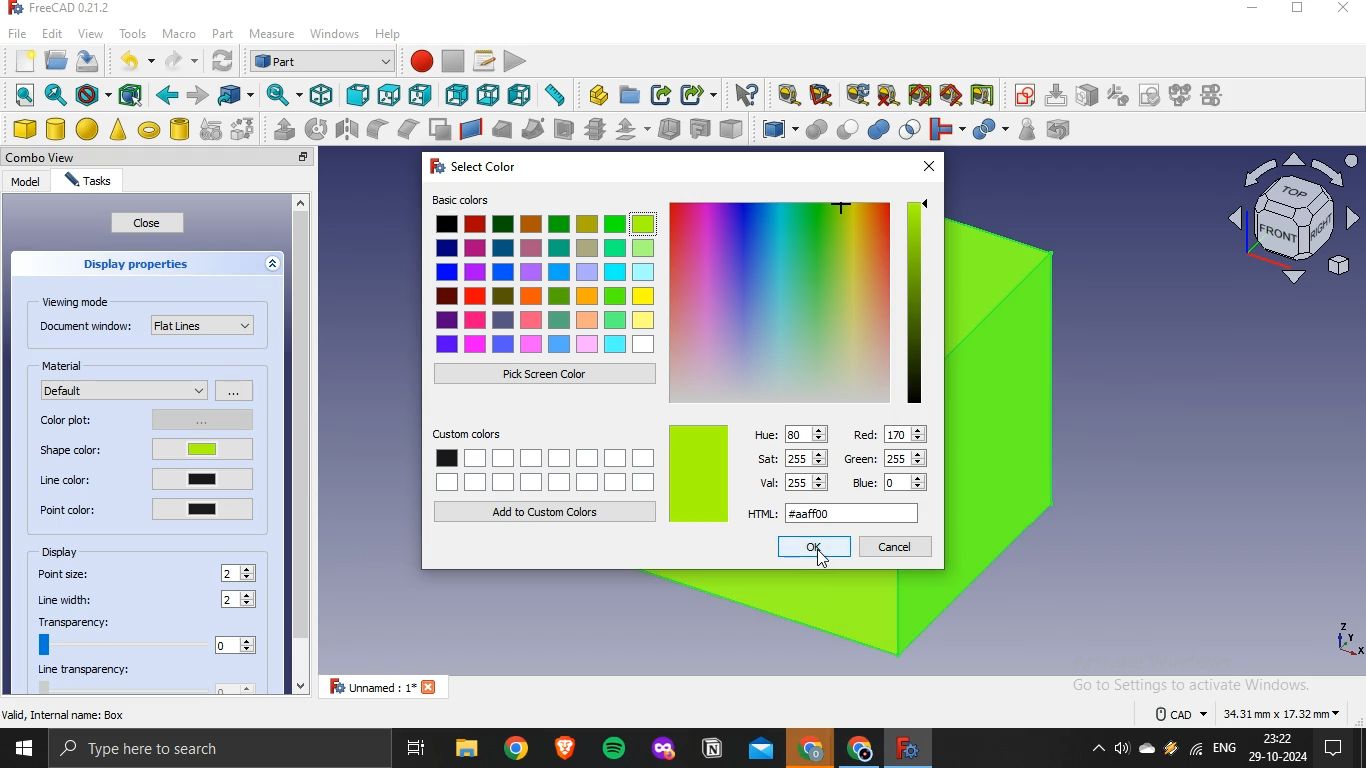  I want to click on time and date, so click(1279, 748).